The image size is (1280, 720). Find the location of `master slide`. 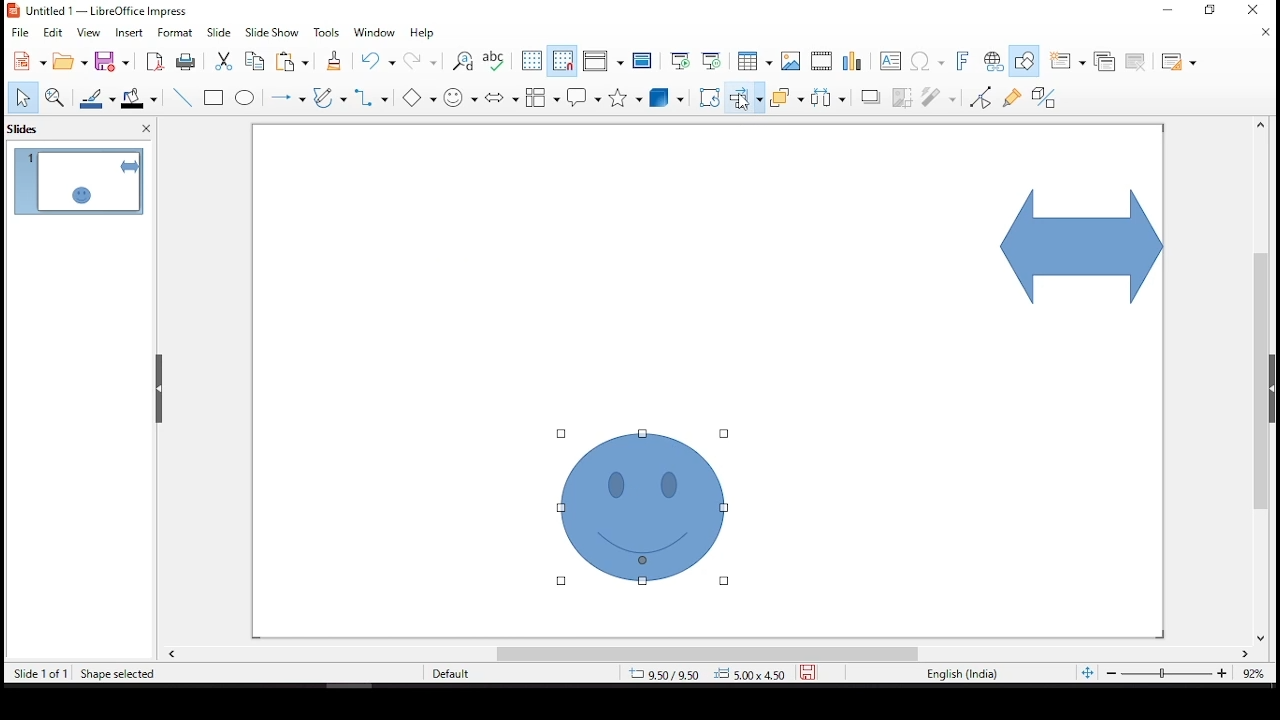

master slide is located at coordinates (644, 63).